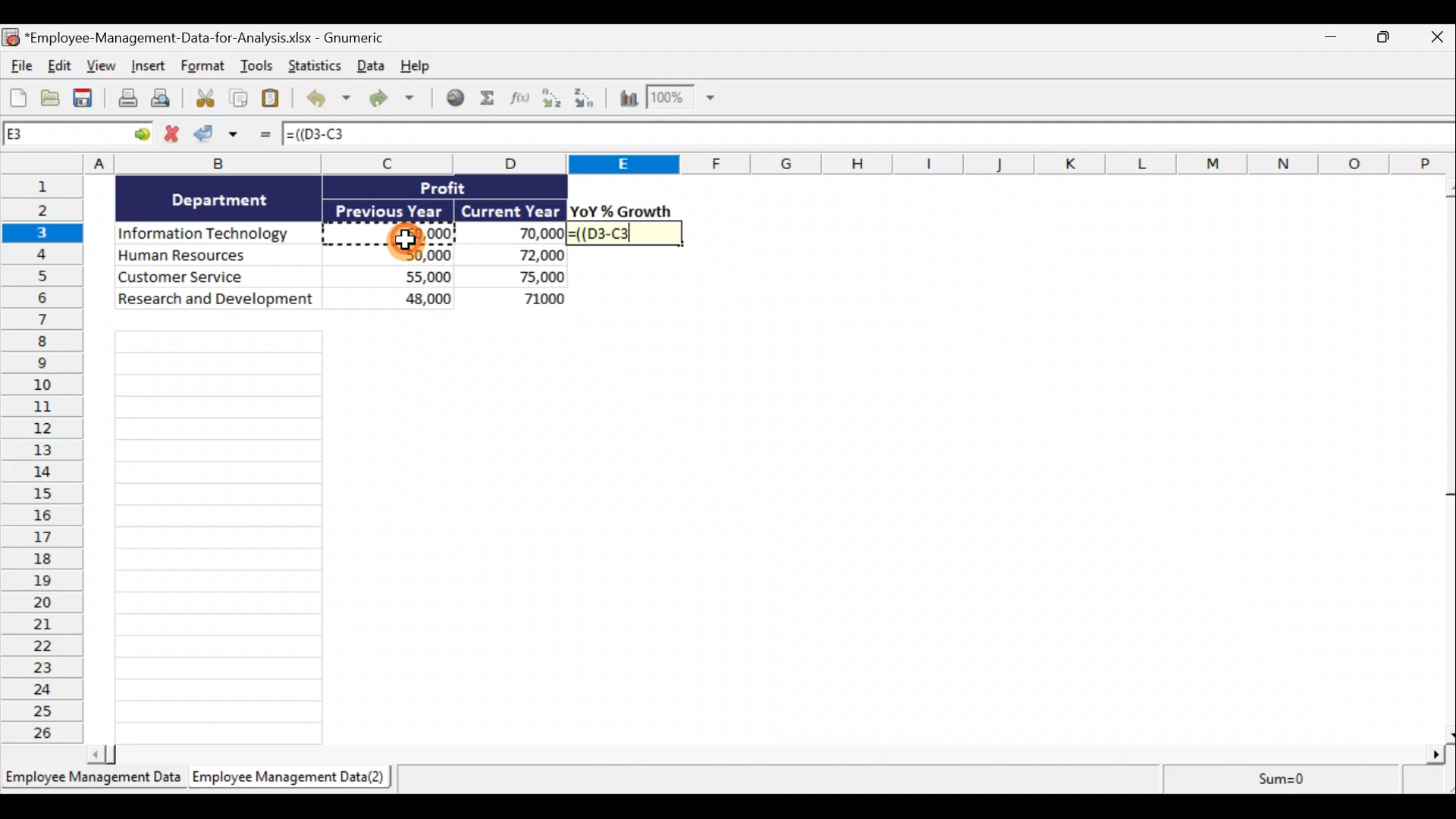 The image size is (1456, 819). What do you see at coordinates (221, 137) in the screenshot?
I see `Accept change` at bounding box center [221, 137].